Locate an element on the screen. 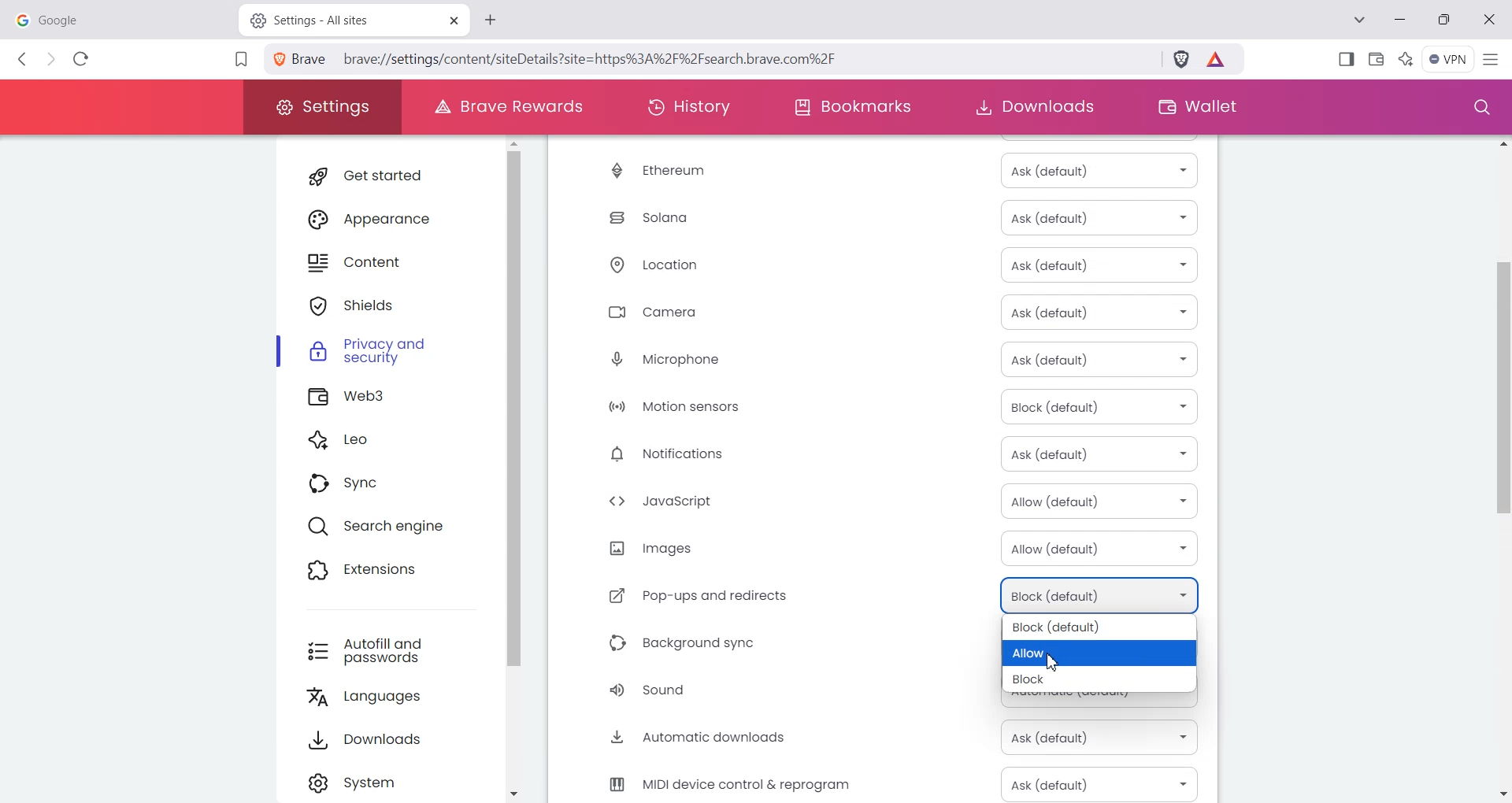  Reload is located at coordinates (81, 58).